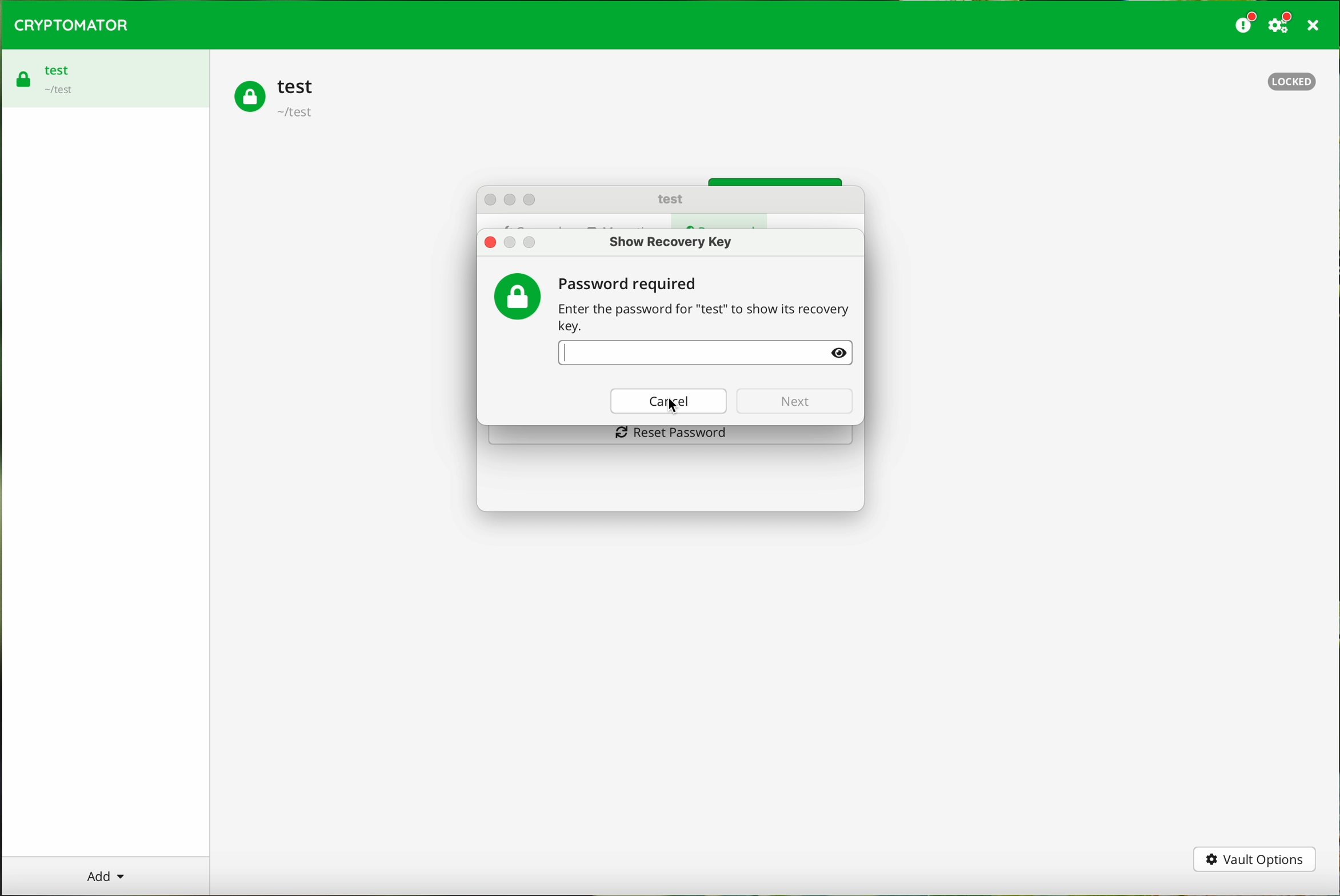  I want to click on password required, so click(705, 305).